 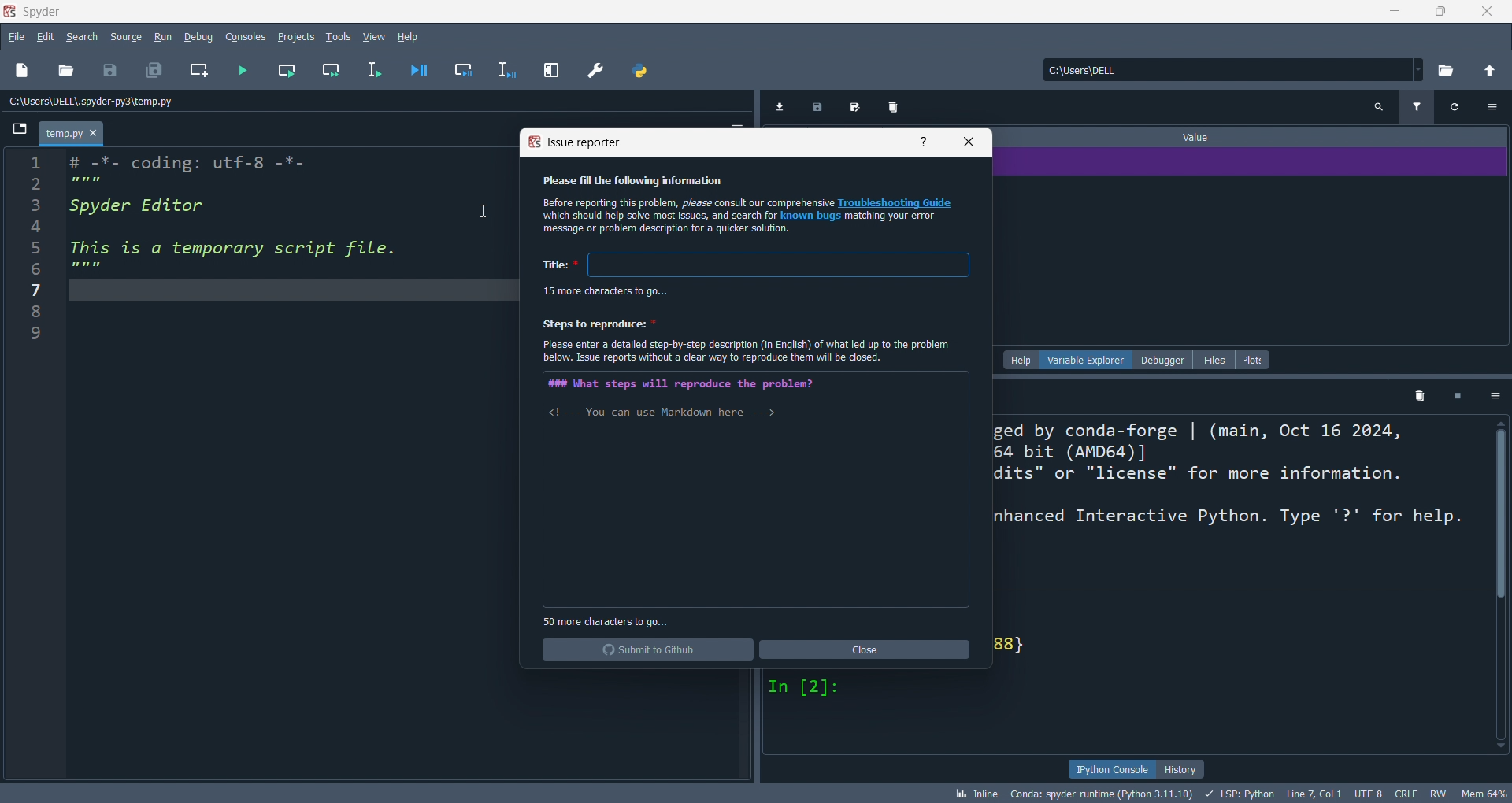 What do you see at coordinates (1392, 12) in the screenshot?
I see `minimize` at bounding box center [1392, 12].